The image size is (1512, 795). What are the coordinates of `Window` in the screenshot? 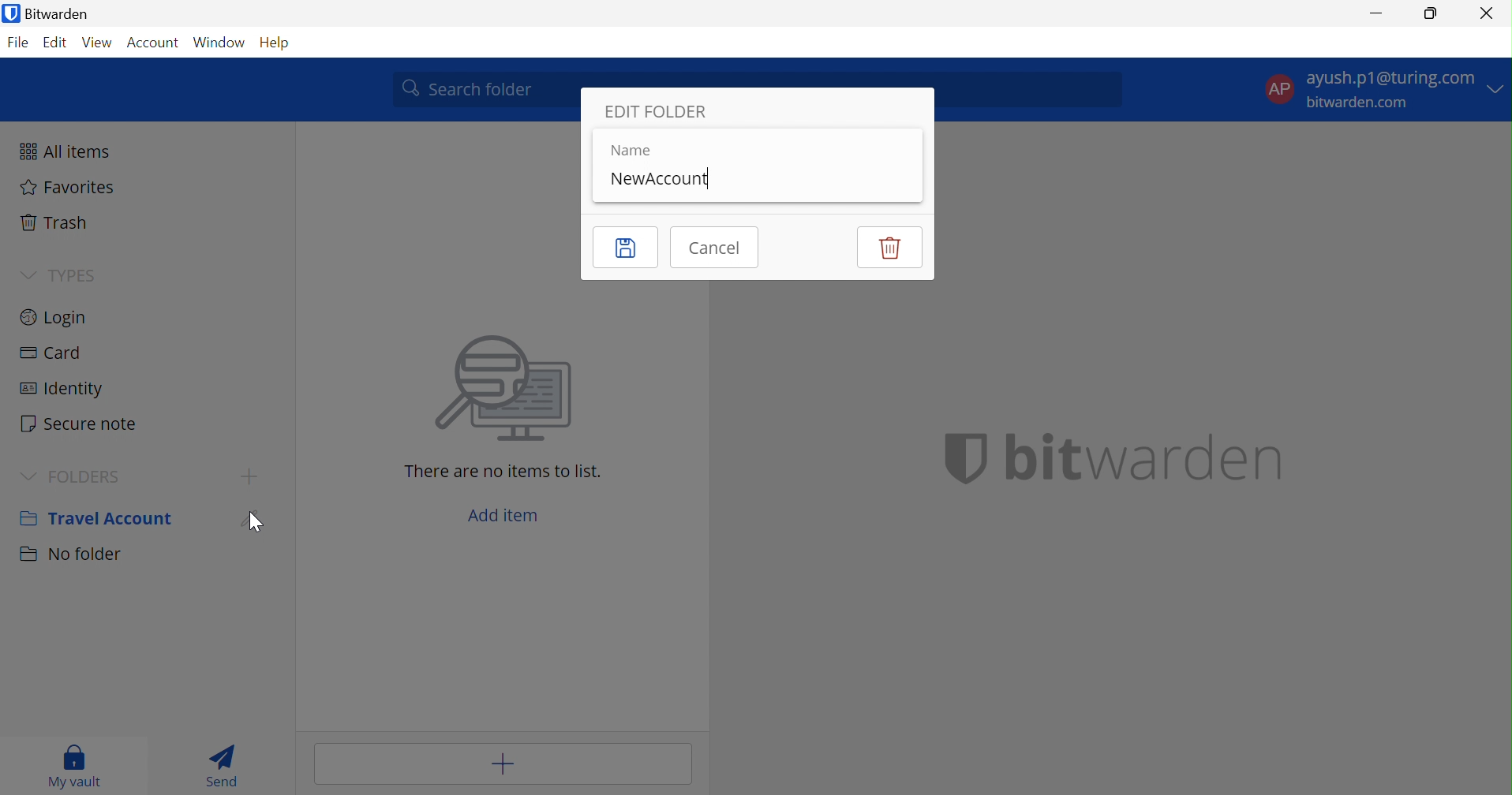 It's located at (219, 41).